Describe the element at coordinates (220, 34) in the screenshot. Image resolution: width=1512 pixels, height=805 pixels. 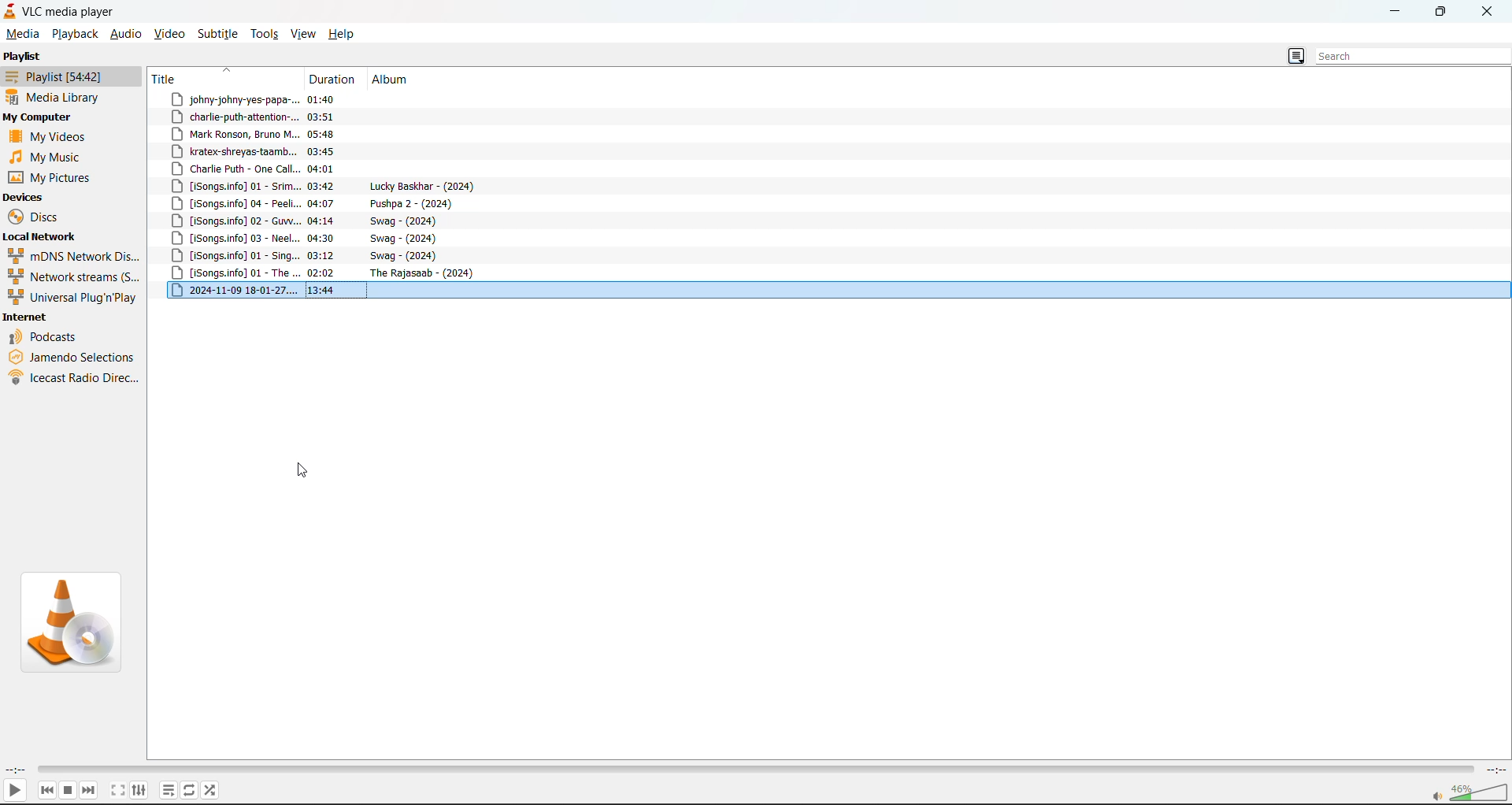
I see `subtitle` at that location.